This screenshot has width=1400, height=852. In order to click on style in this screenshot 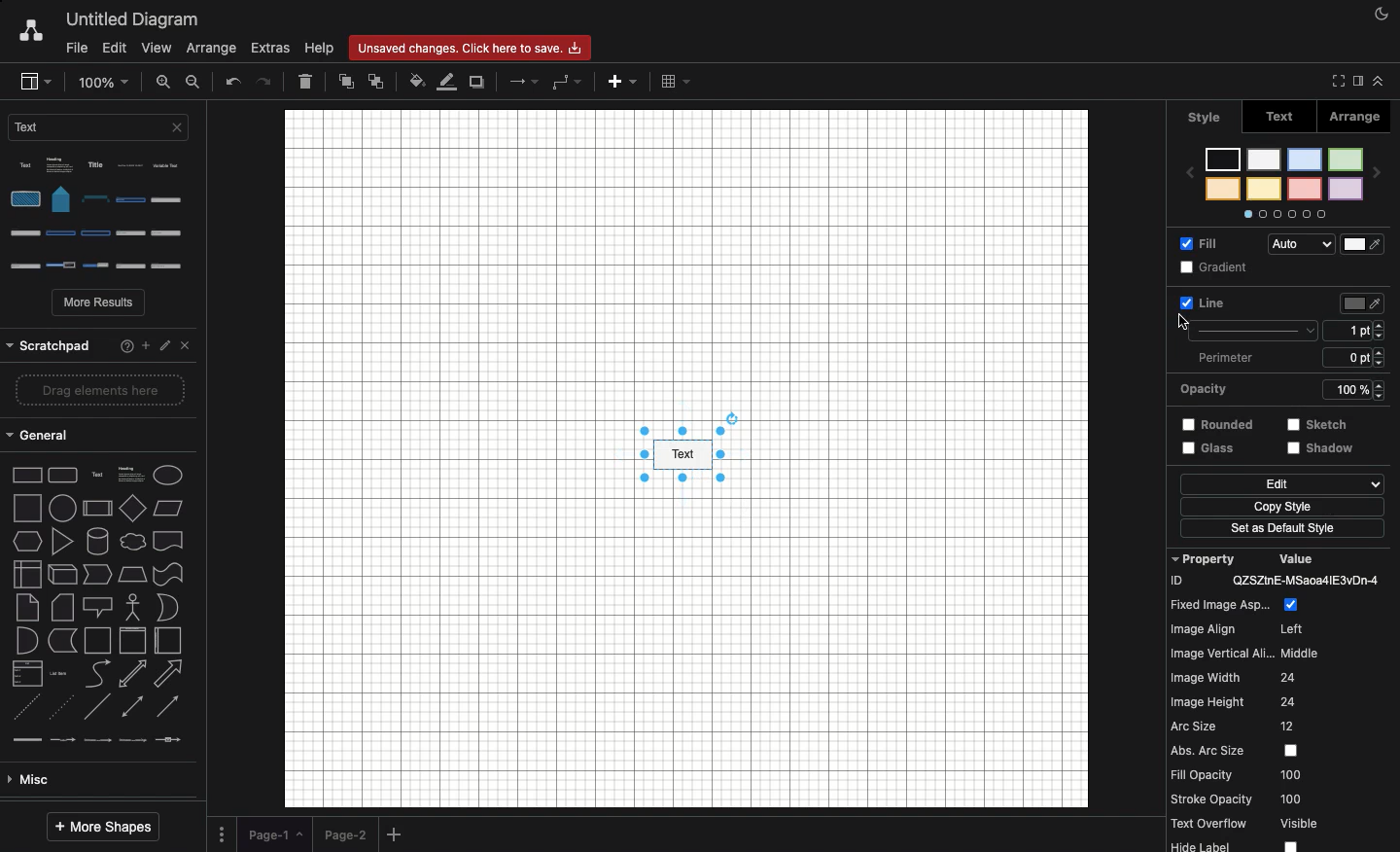, I will do `click(1205, 116)`.